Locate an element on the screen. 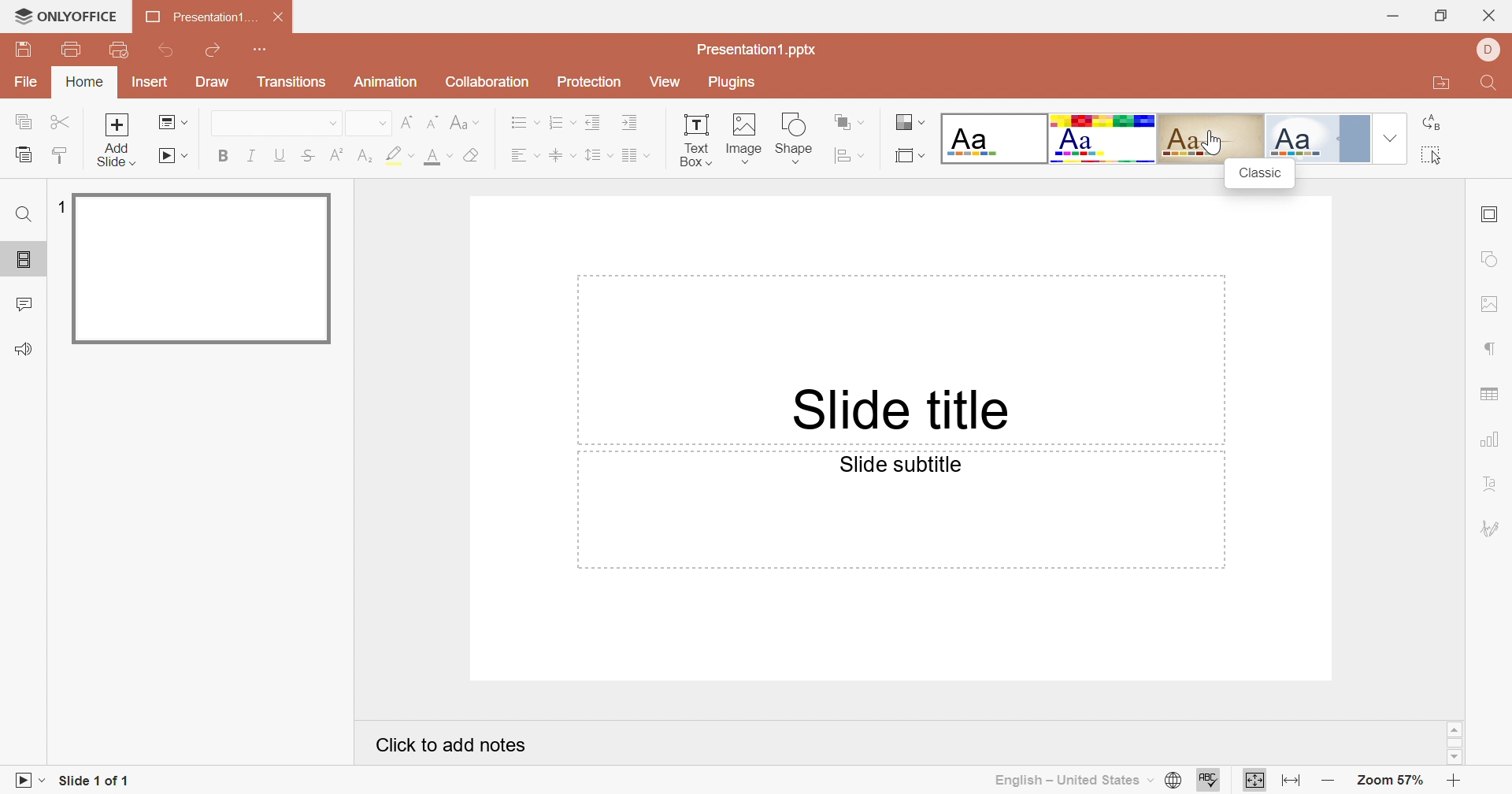 The width and height of the screenshot is (1512, 794). Slide subtitle is located at coordinates (899, 465).